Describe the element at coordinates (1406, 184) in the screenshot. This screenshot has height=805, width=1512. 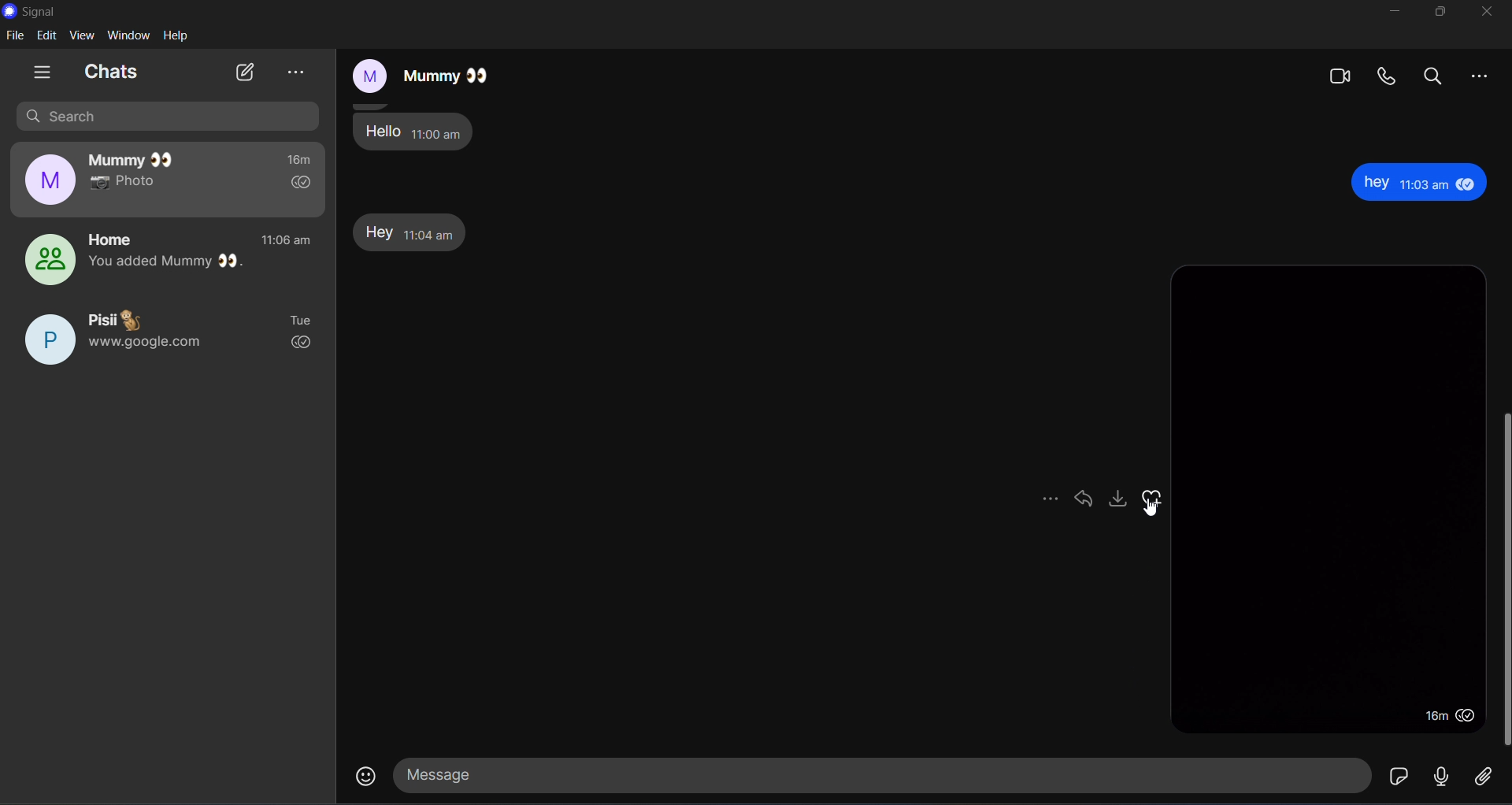
I see `hey message` at that location.